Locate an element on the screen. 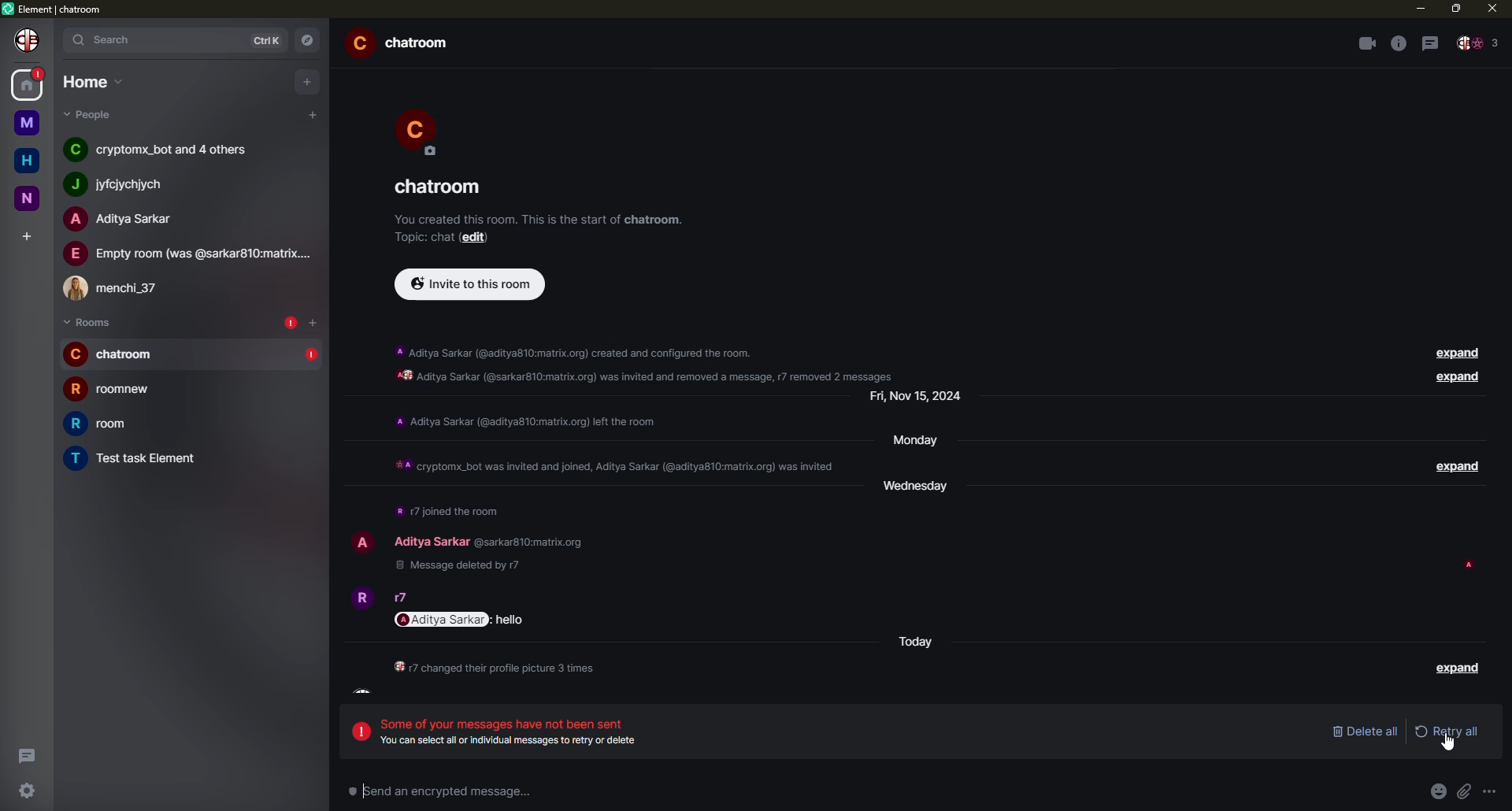 The image size is (1512, 811). max is located at coordinates (1455, 9).